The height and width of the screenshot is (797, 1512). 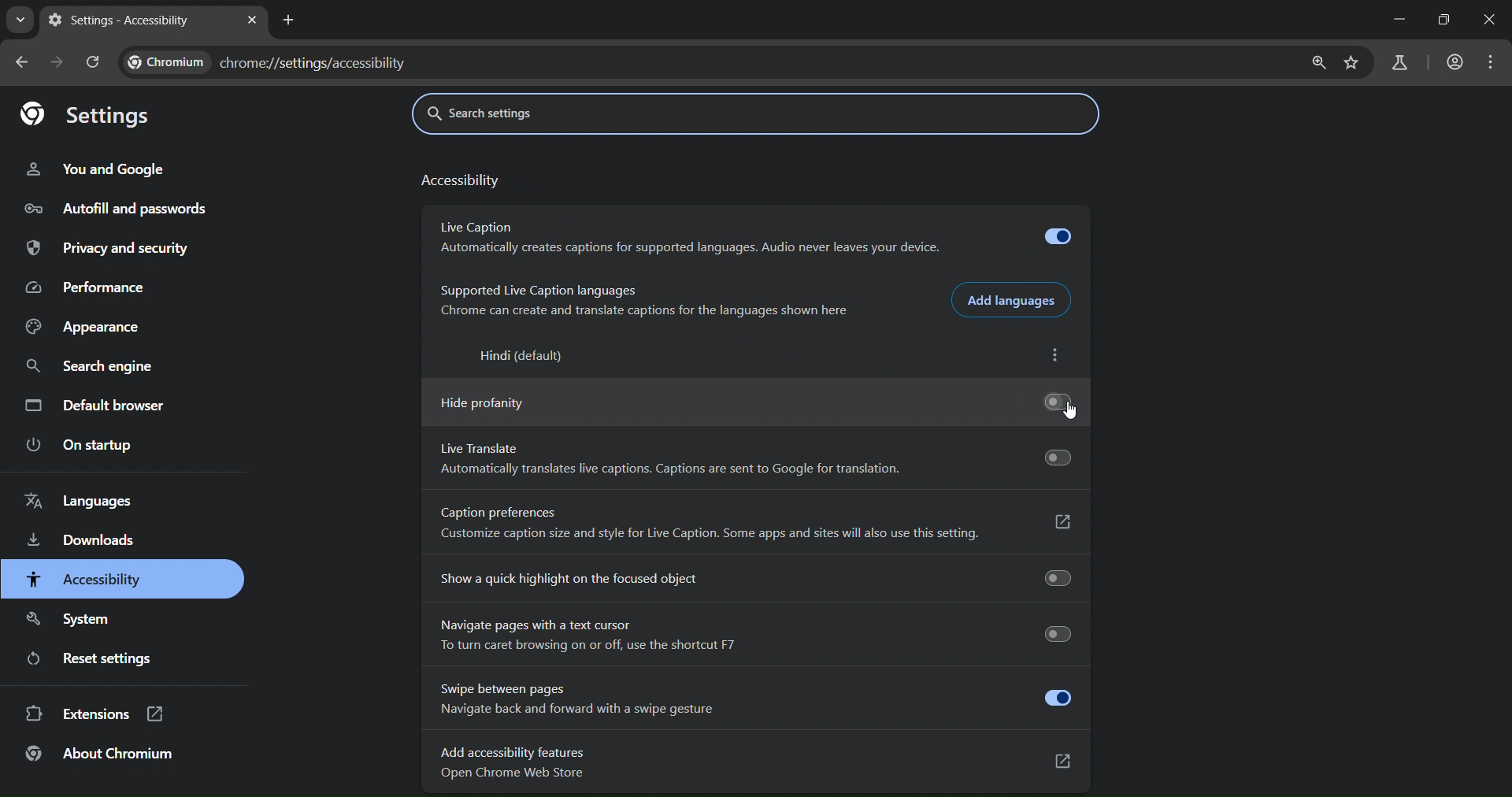 What do you see at coordinates (98, 751) in the screenshot?
I see `about chromium` at bounding box center [98, 751].